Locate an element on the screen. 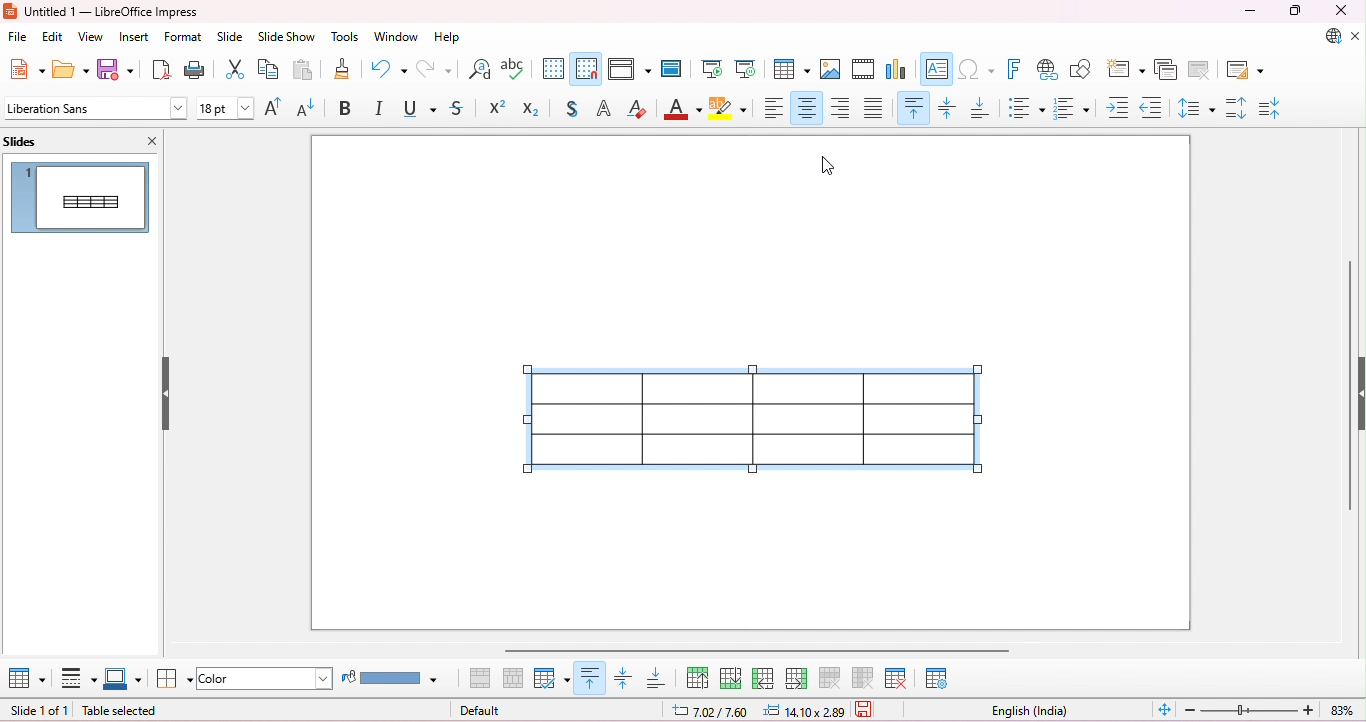 The width and height of the screenshot is (1366, 722). delete table is located at coordinates (898, 678).